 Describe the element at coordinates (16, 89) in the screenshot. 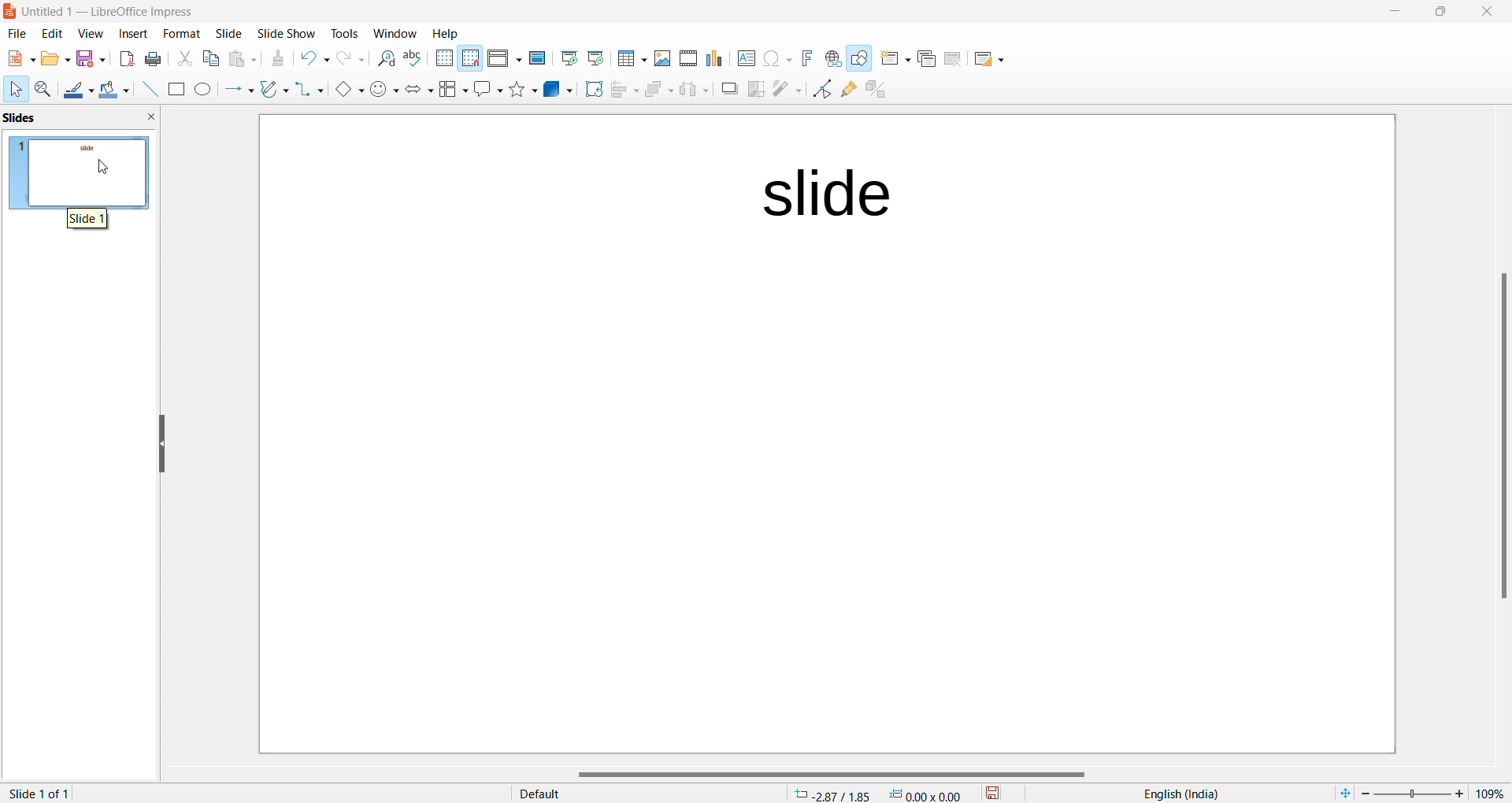

I see `Cursor` at that location.